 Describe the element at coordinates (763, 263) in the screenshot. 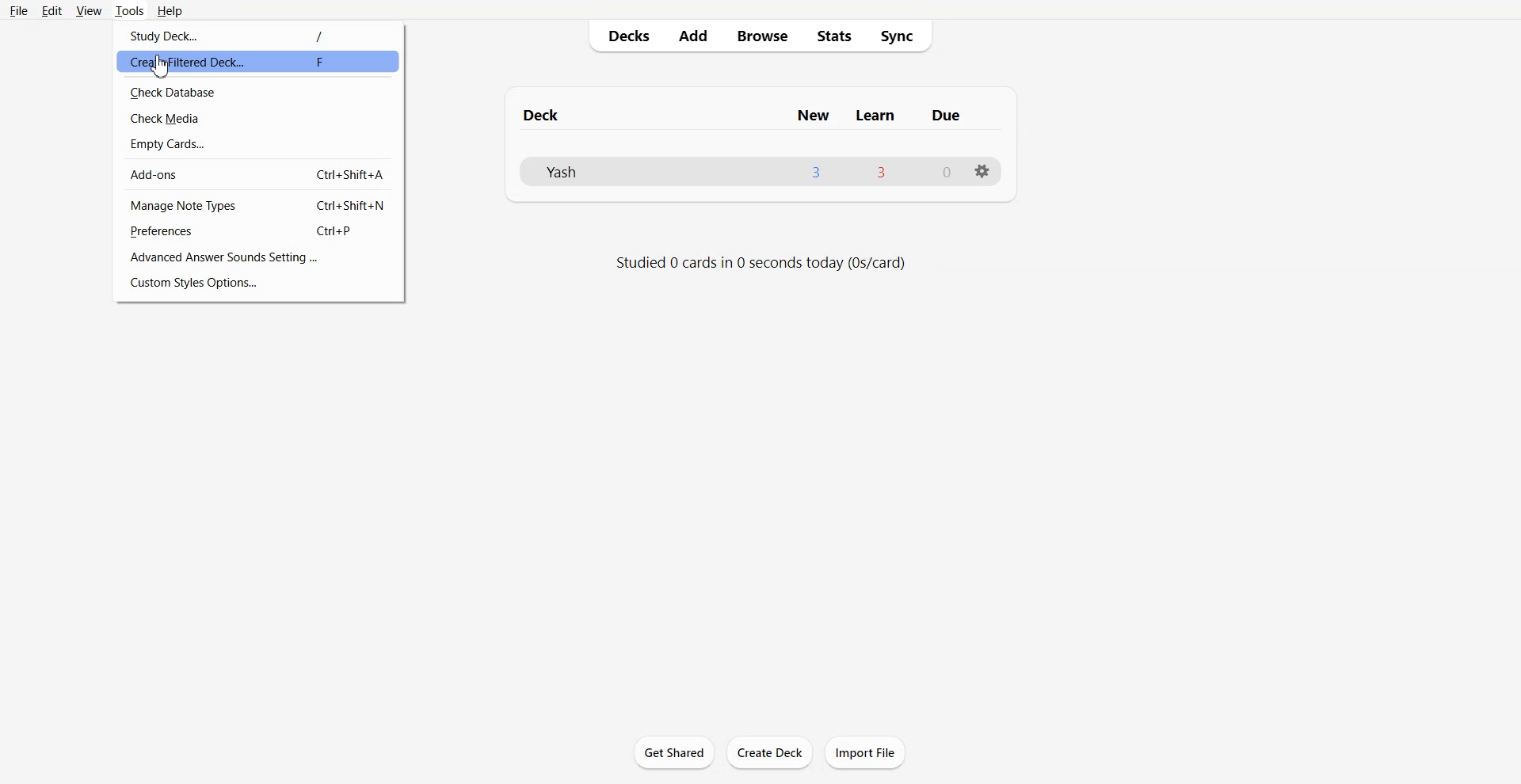

I see `Text 2` at that location.